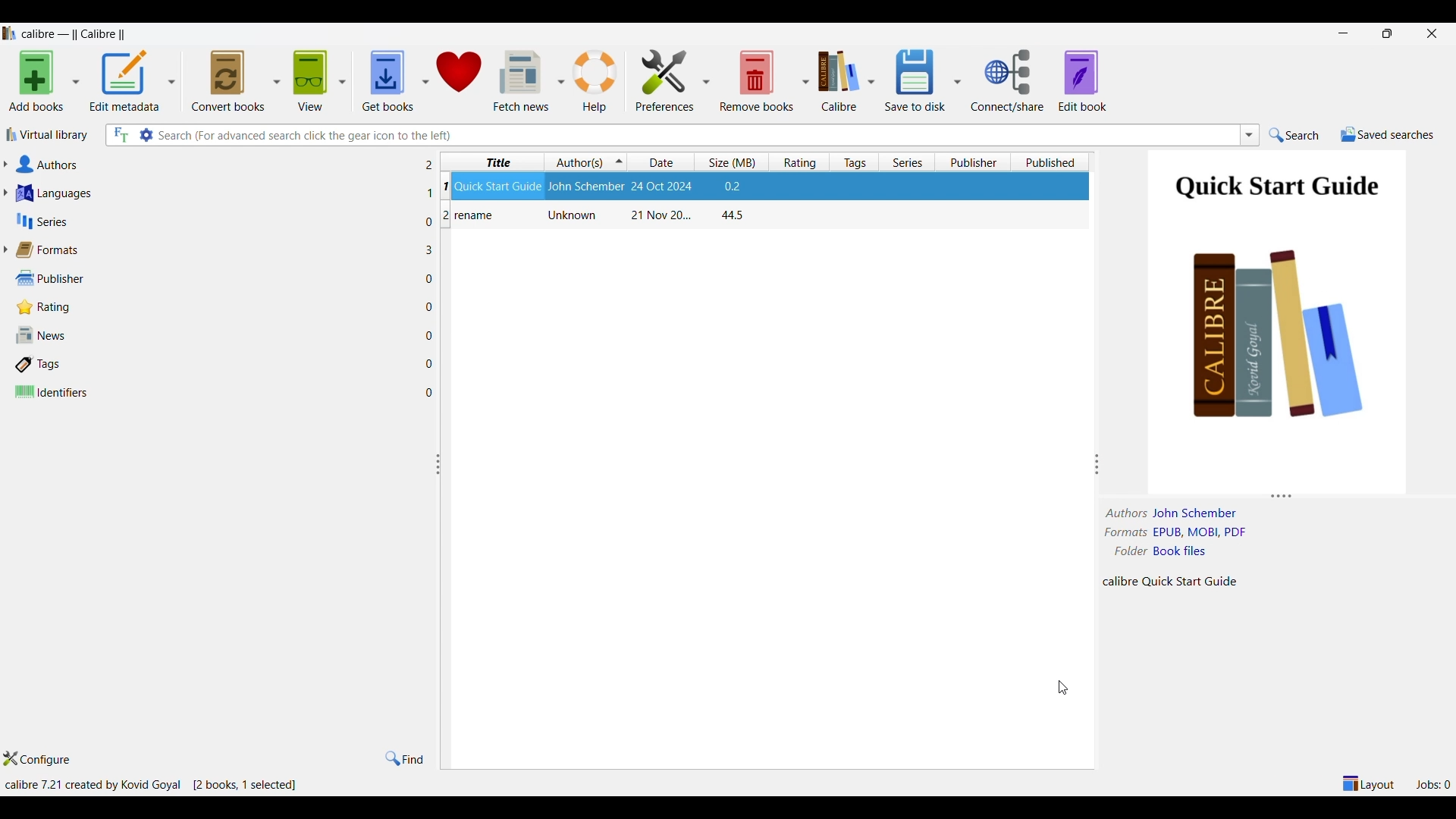 The image size is (1456, 819). What do you see at coordinates (171, 81) in the screenshot?
I see `Edit metadata options` at bounding box center [171, 81].